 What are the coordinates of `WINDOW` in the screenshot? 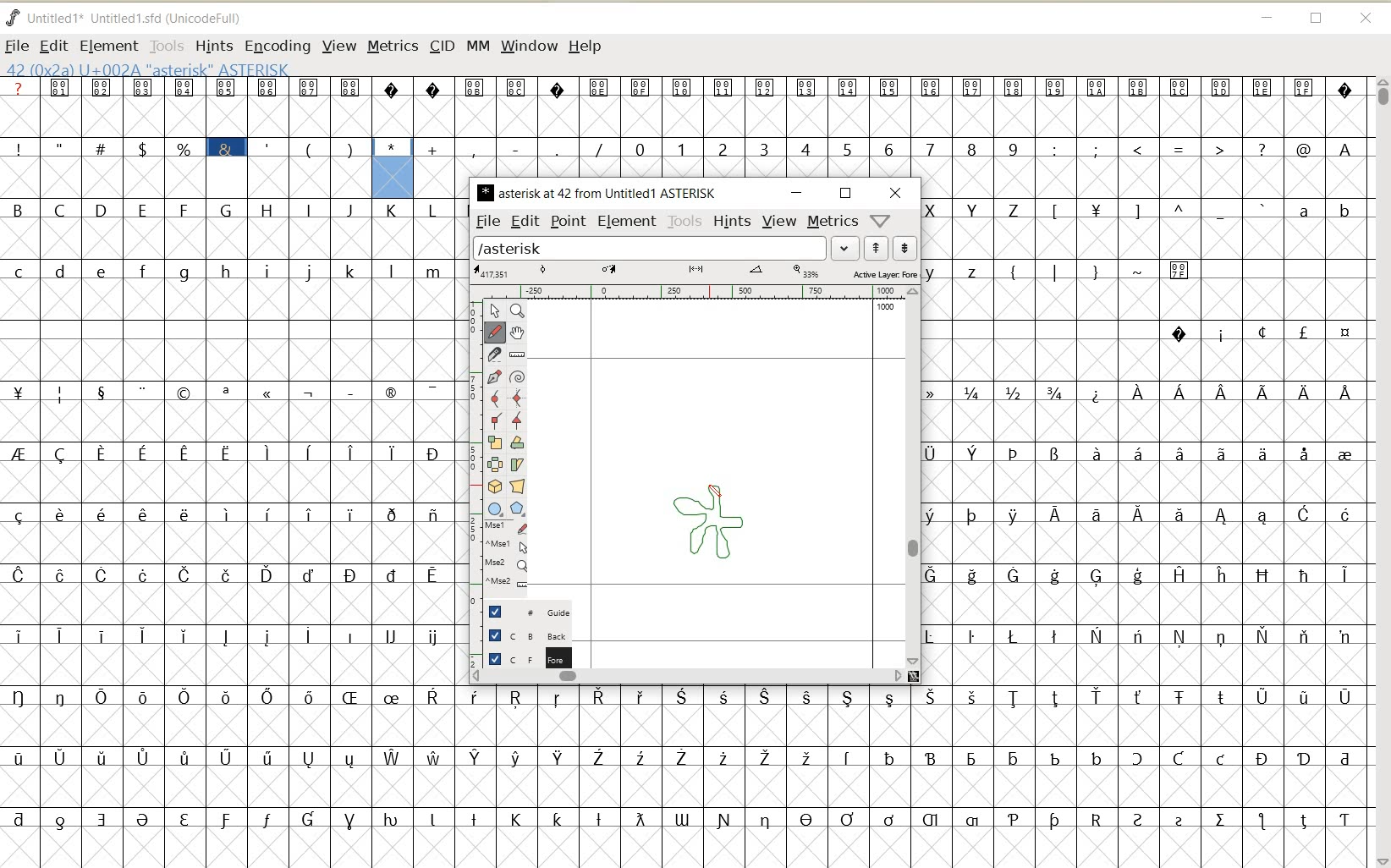 It's located at (528, 47).